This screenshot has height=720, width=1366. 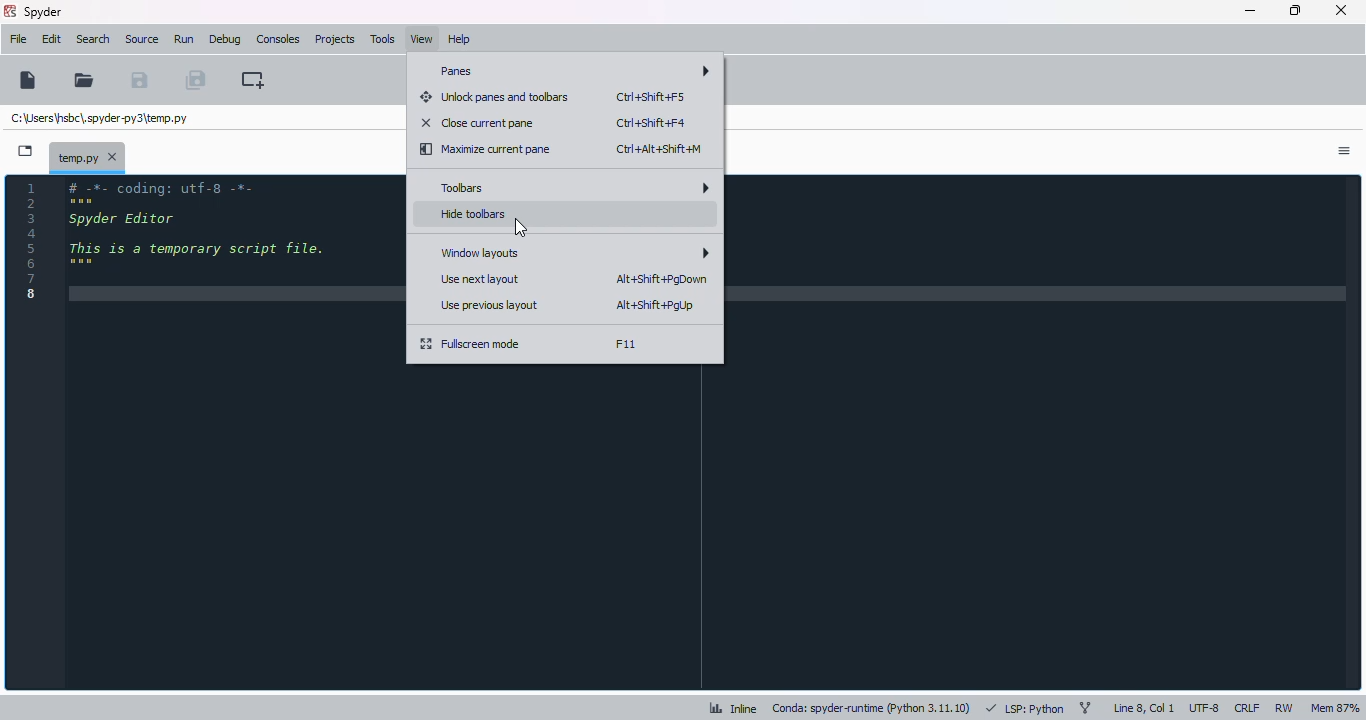 What do you see at coordinates (651, 122) in the screenshot?
I see `shortcut for close current pane` at bounding box center [651, 122].